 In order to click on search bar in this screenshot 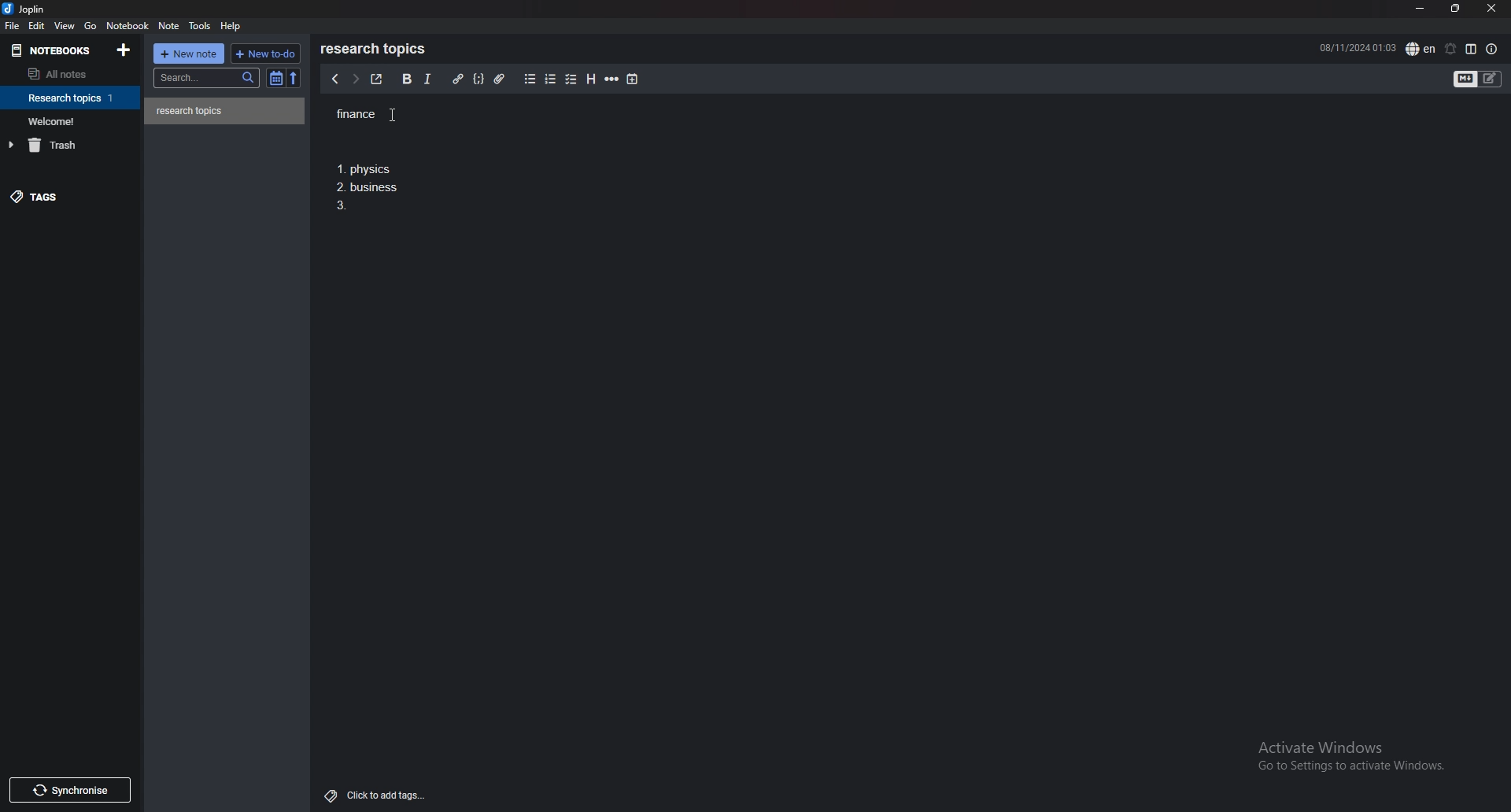, I will do `click(208, 77)`.